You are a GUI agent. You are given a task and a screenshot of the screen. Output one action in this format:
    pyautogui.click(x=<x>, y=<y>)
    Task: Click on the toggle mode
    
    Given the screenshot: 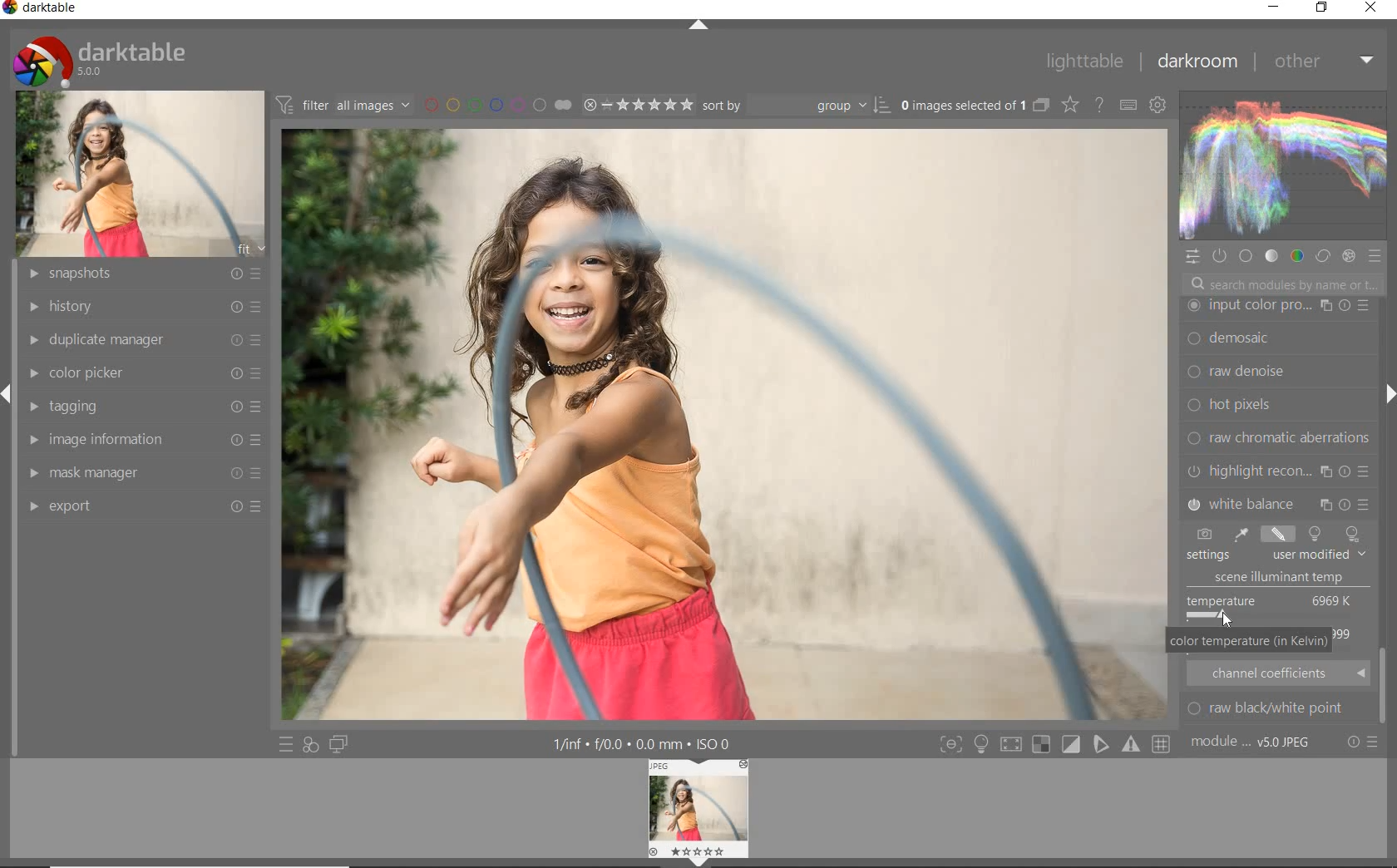 What is the action you would take?
    pyautogui.click(x=950, y=744)
    